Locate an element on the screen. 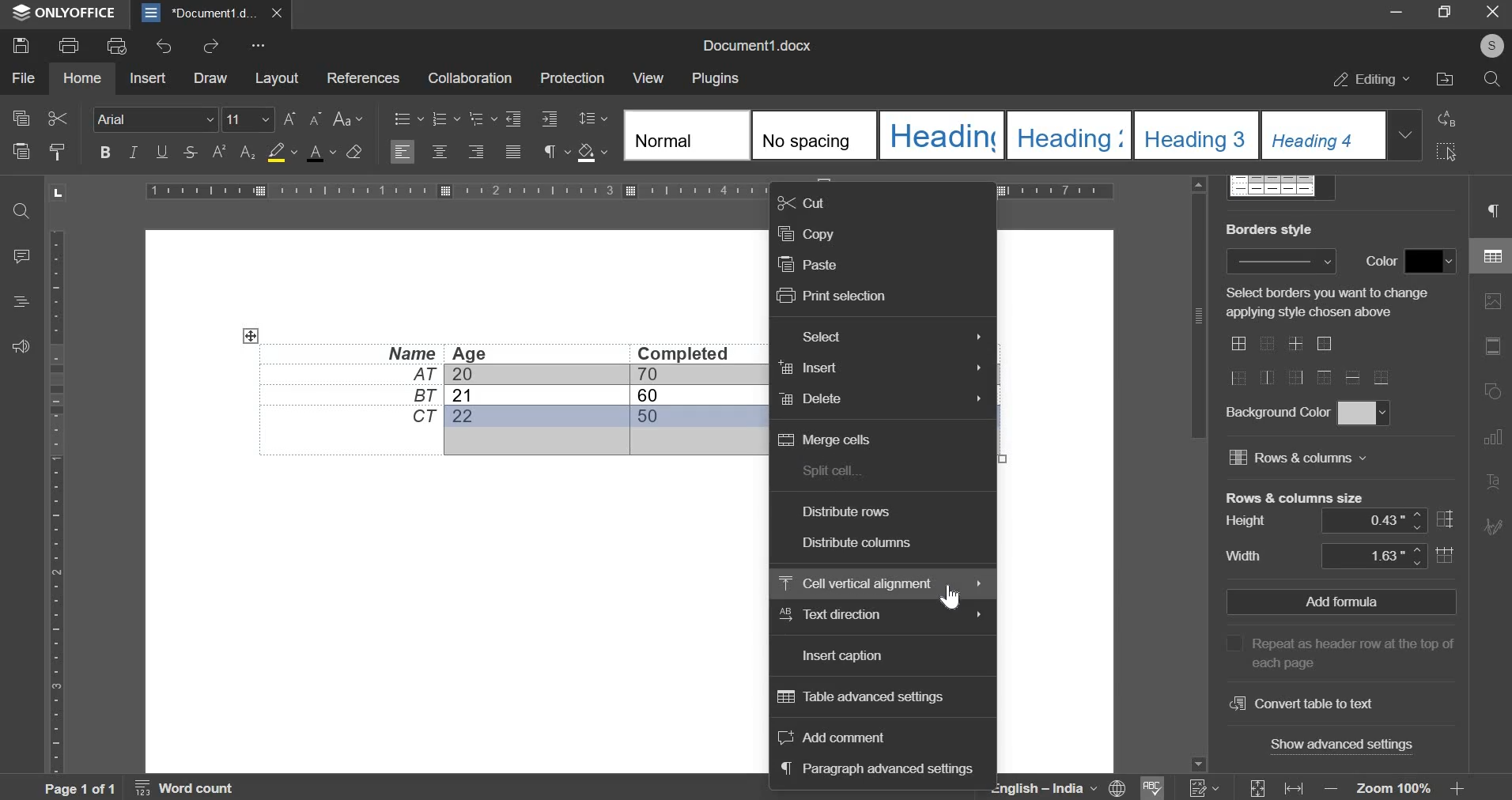 The height and width of the screenshot is (800, 1512). insert is located at coordinates (146, 78).